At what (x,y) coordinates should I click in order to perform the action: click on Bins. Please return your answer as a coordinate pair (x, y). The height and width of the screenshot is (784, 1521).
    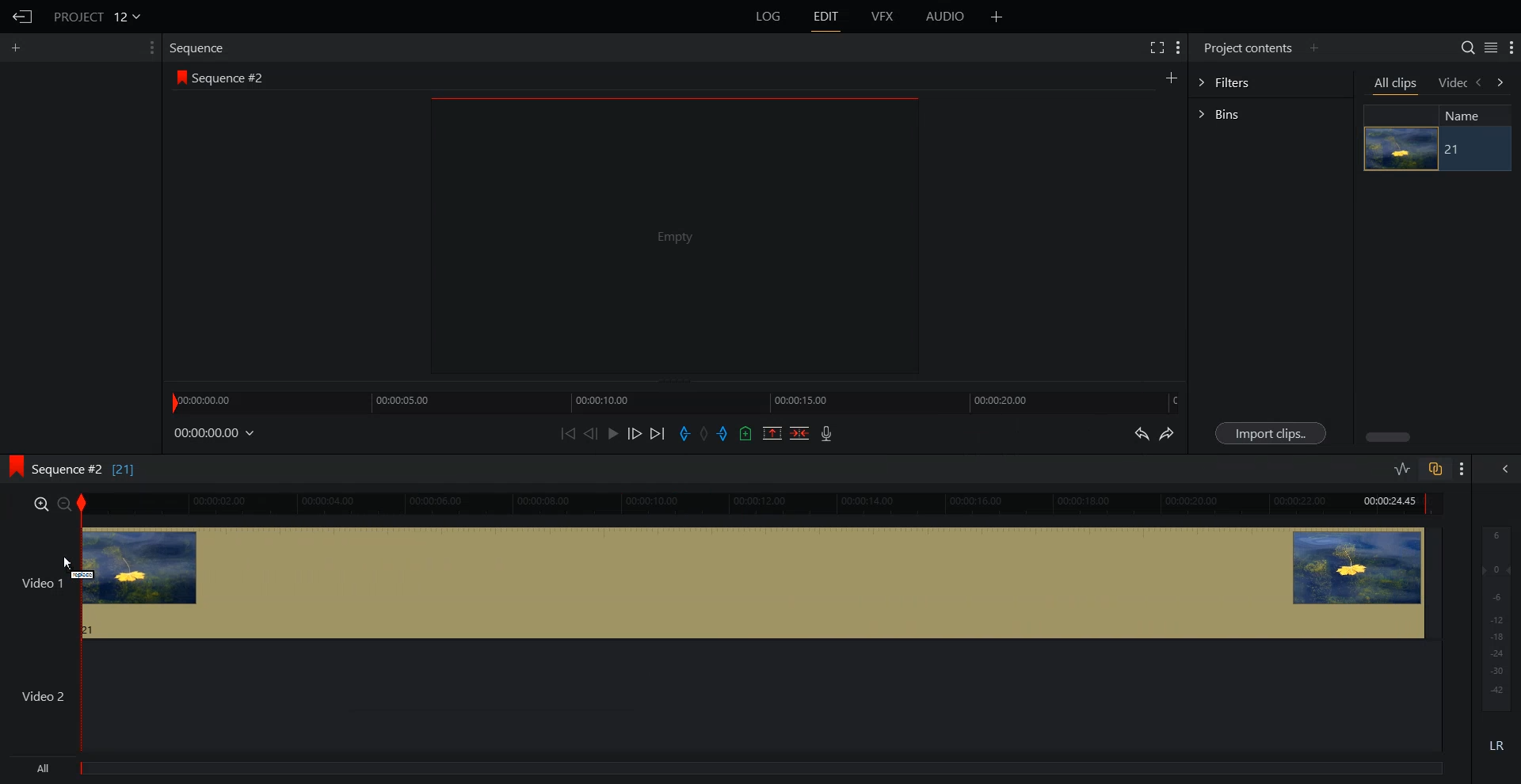
    Looking at the image, I should click on (1271, 112).